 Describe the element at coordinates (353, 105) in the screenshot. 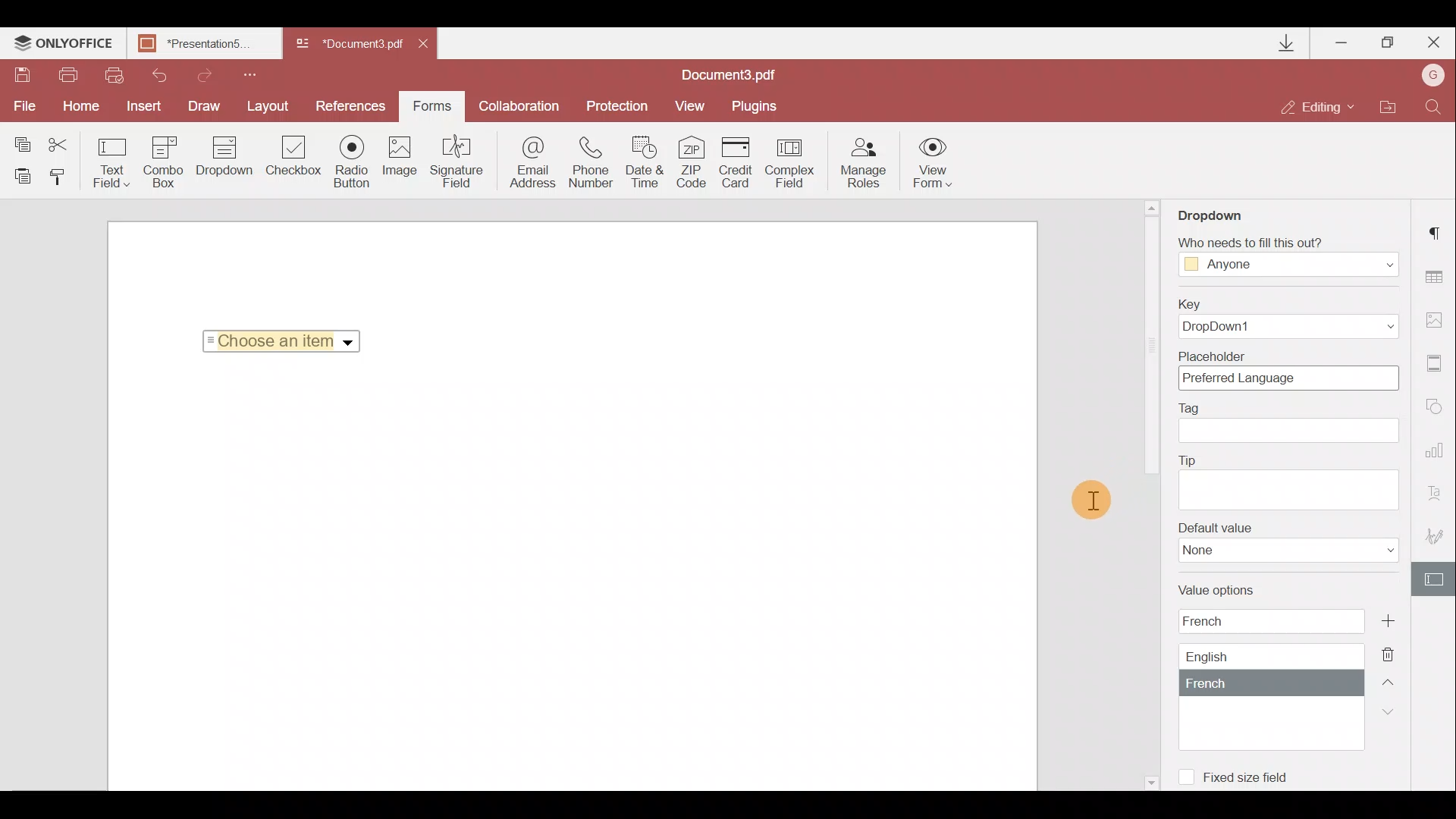

I see `References` at that location.